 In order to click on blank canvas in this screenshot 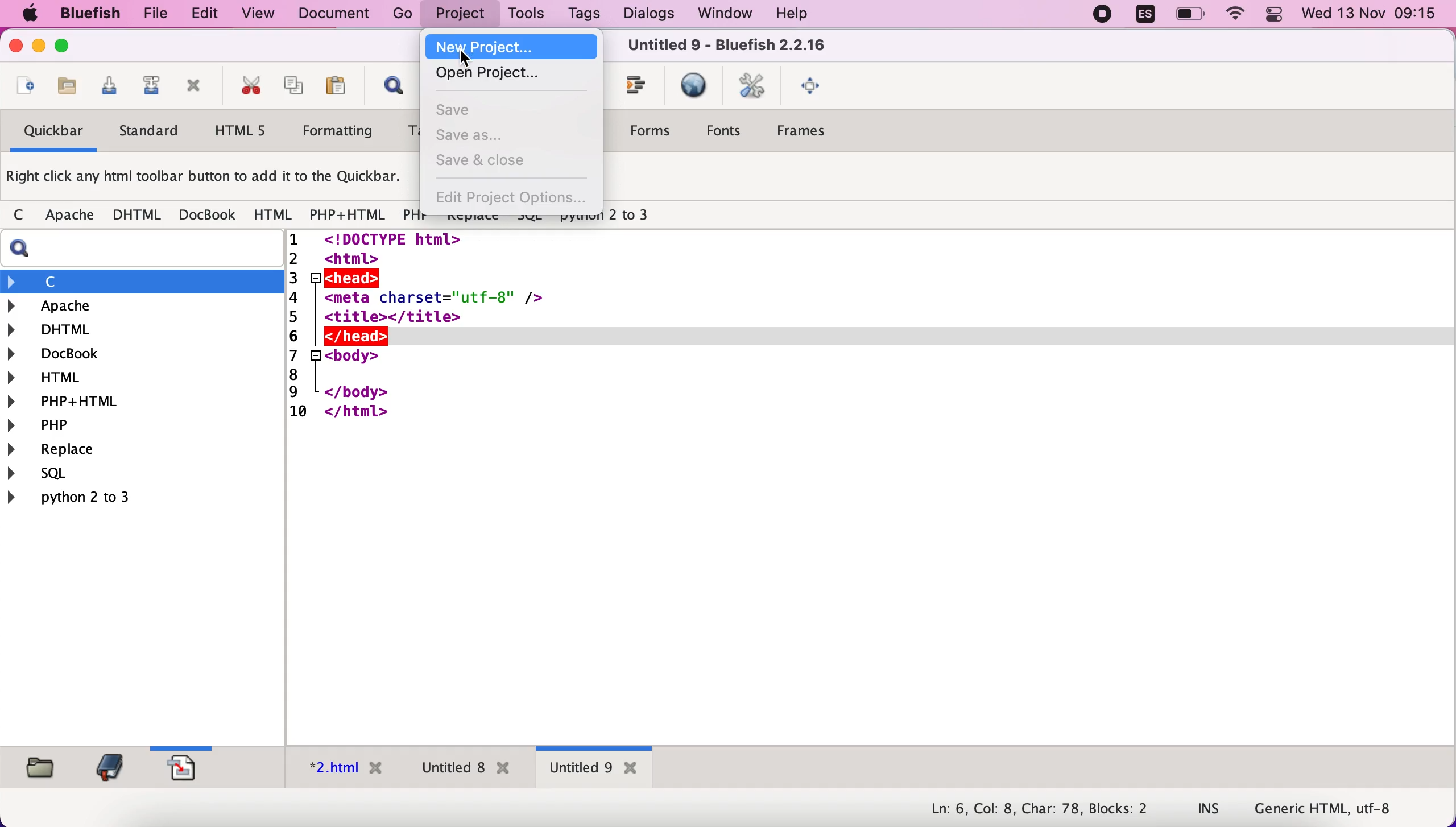, I will do `click(872, 489)`.